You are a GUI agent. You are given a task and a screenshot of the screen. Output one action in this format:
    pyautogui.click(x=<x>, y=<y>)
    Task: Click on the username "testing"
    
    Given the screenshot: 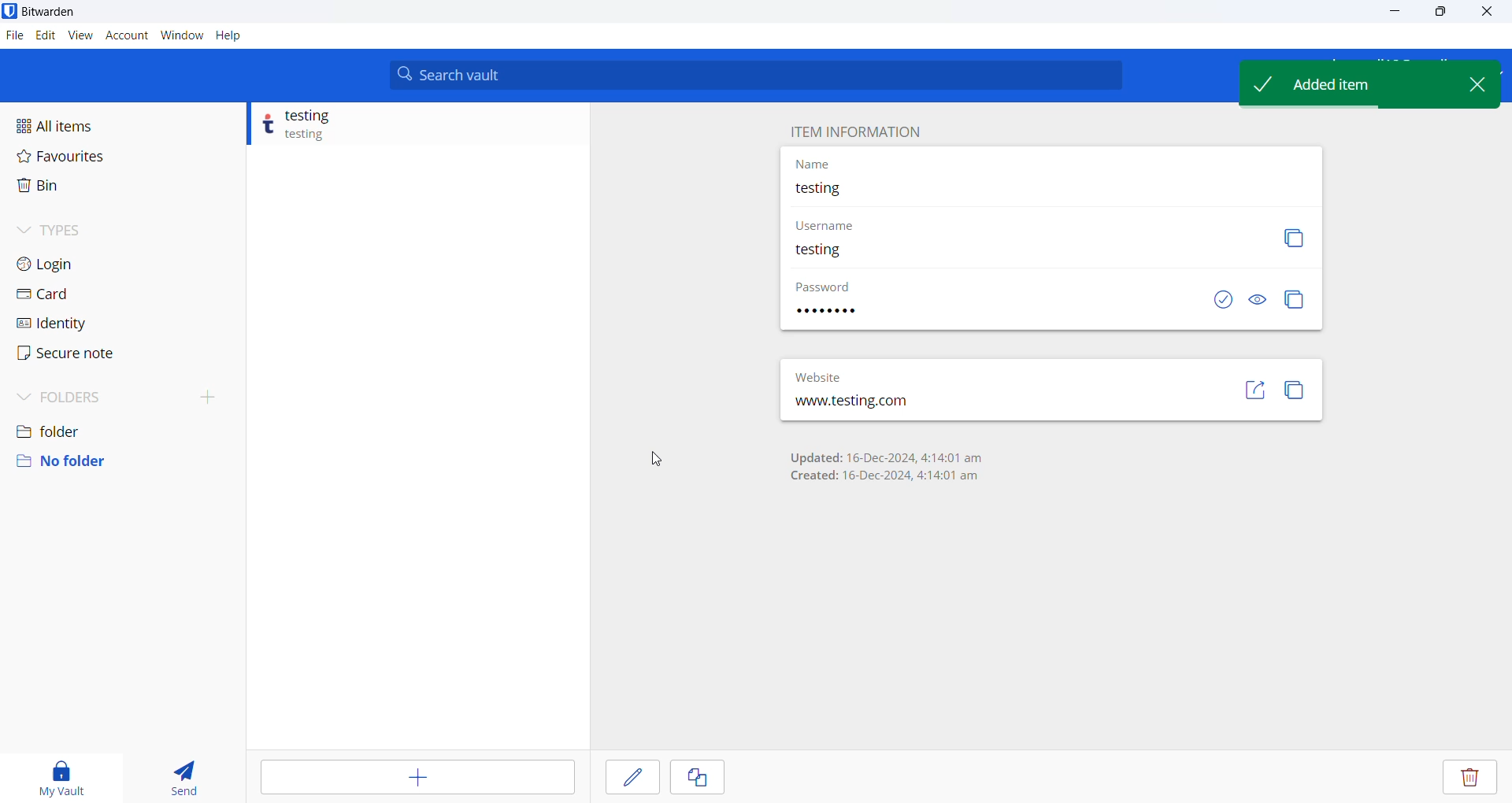 What is the action you would take?
    pyautogui.click(x=982, y=252)
    